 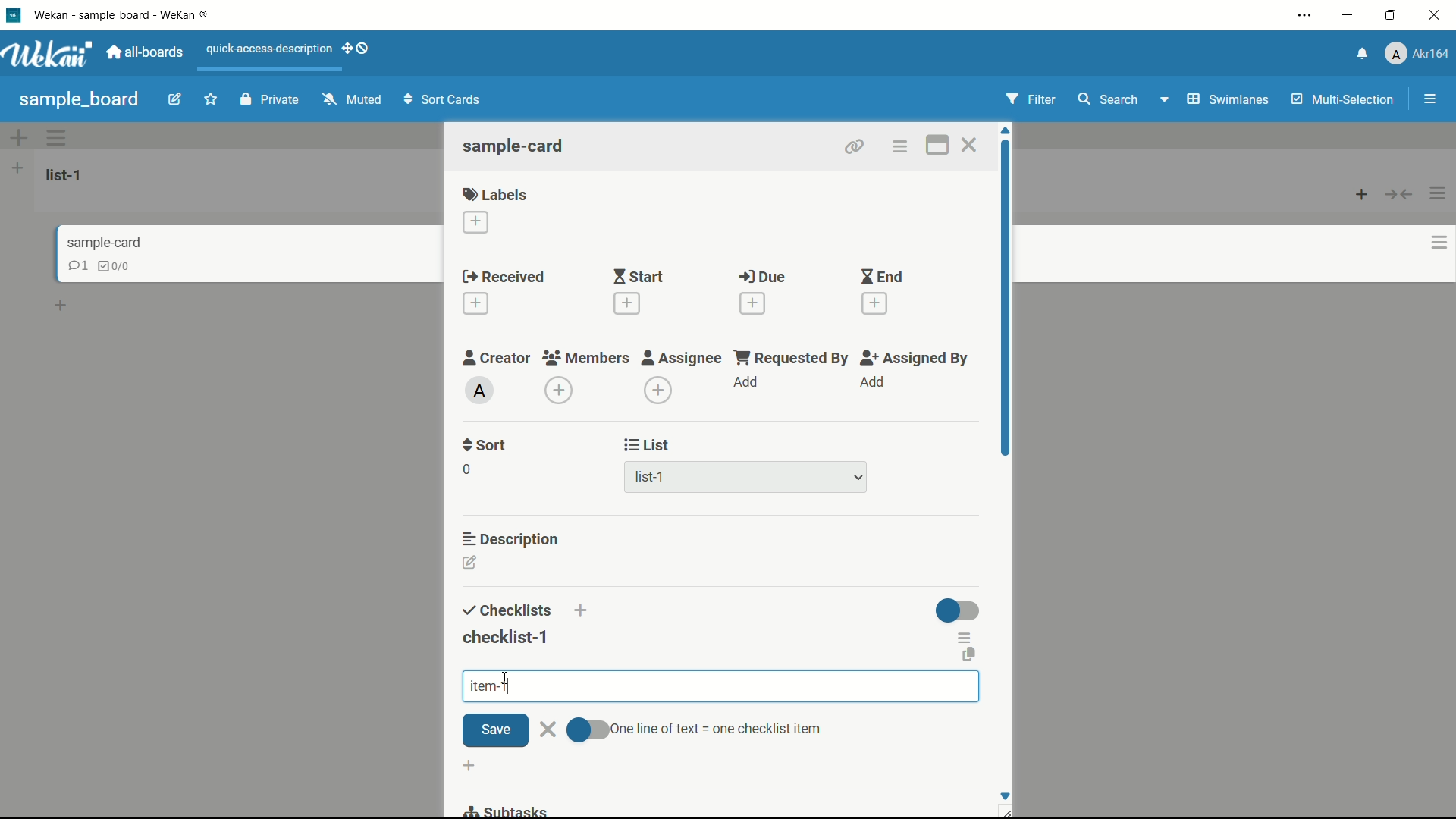 I want to click on assignee, so click(x=682, y=359).